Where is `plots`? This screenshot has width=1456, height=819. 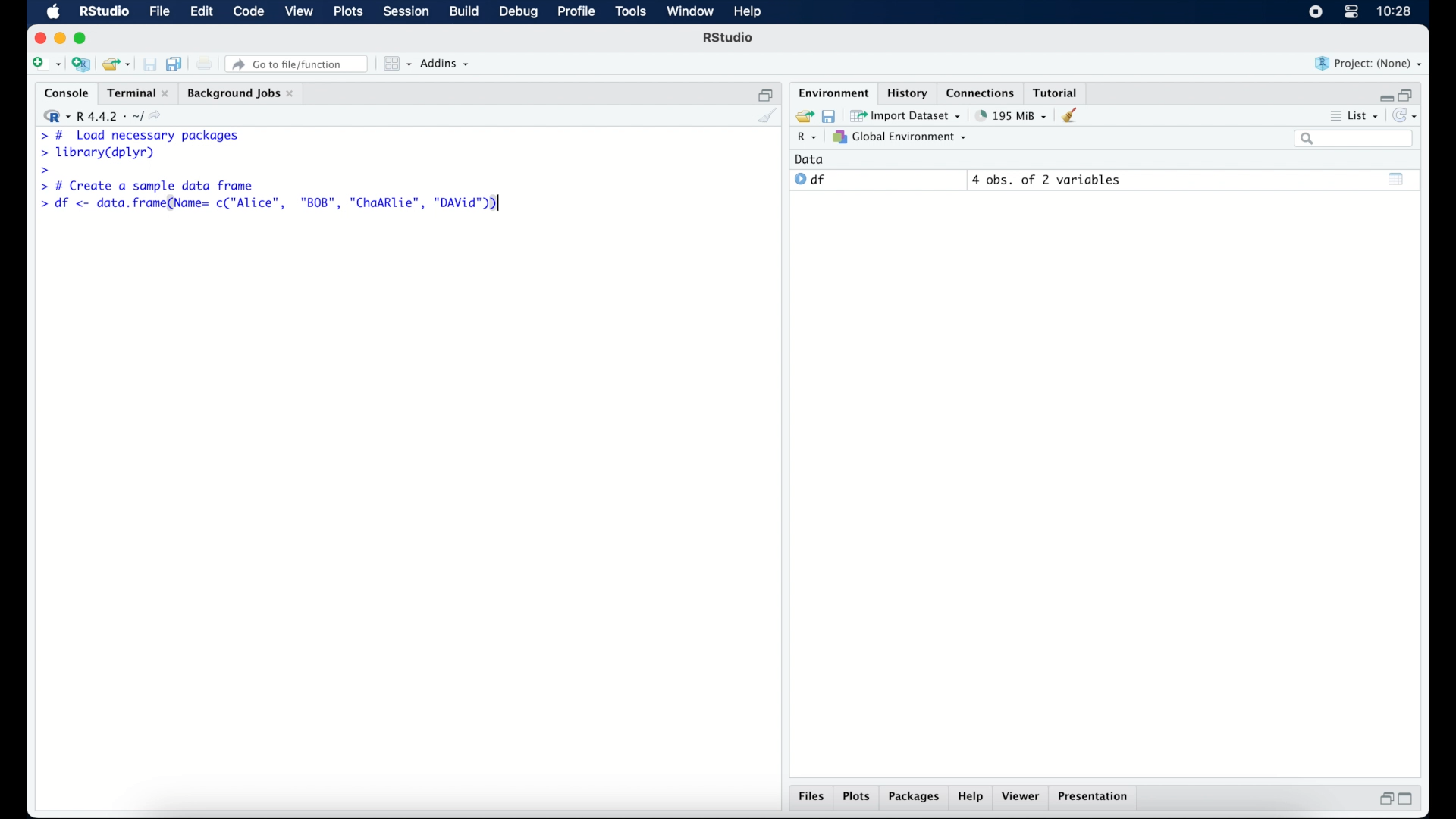 plots is located at coordinates (858, 798).